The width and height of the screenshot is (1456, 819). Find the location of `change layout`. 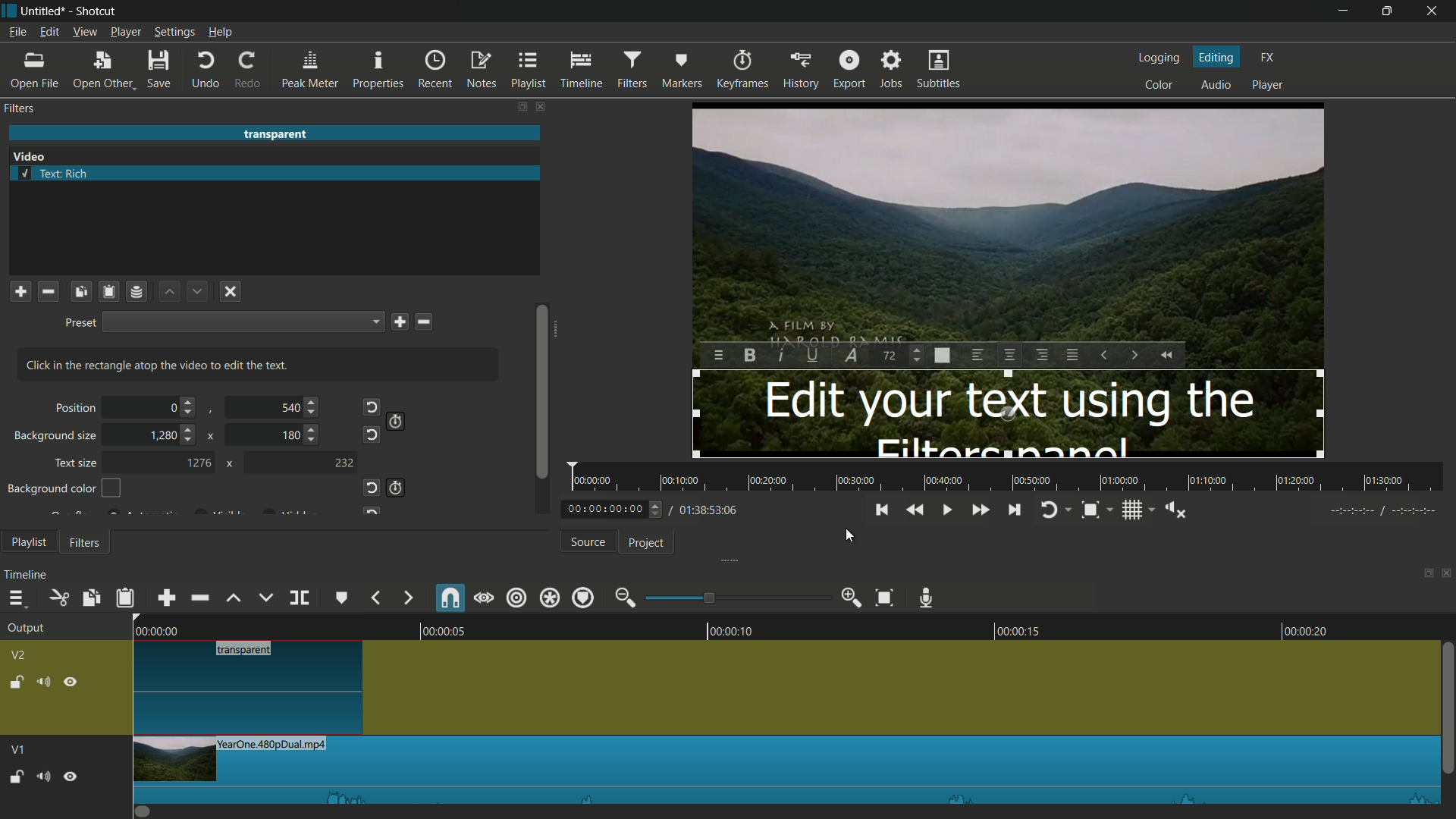

change layout is located at coordinates (1423, 576).